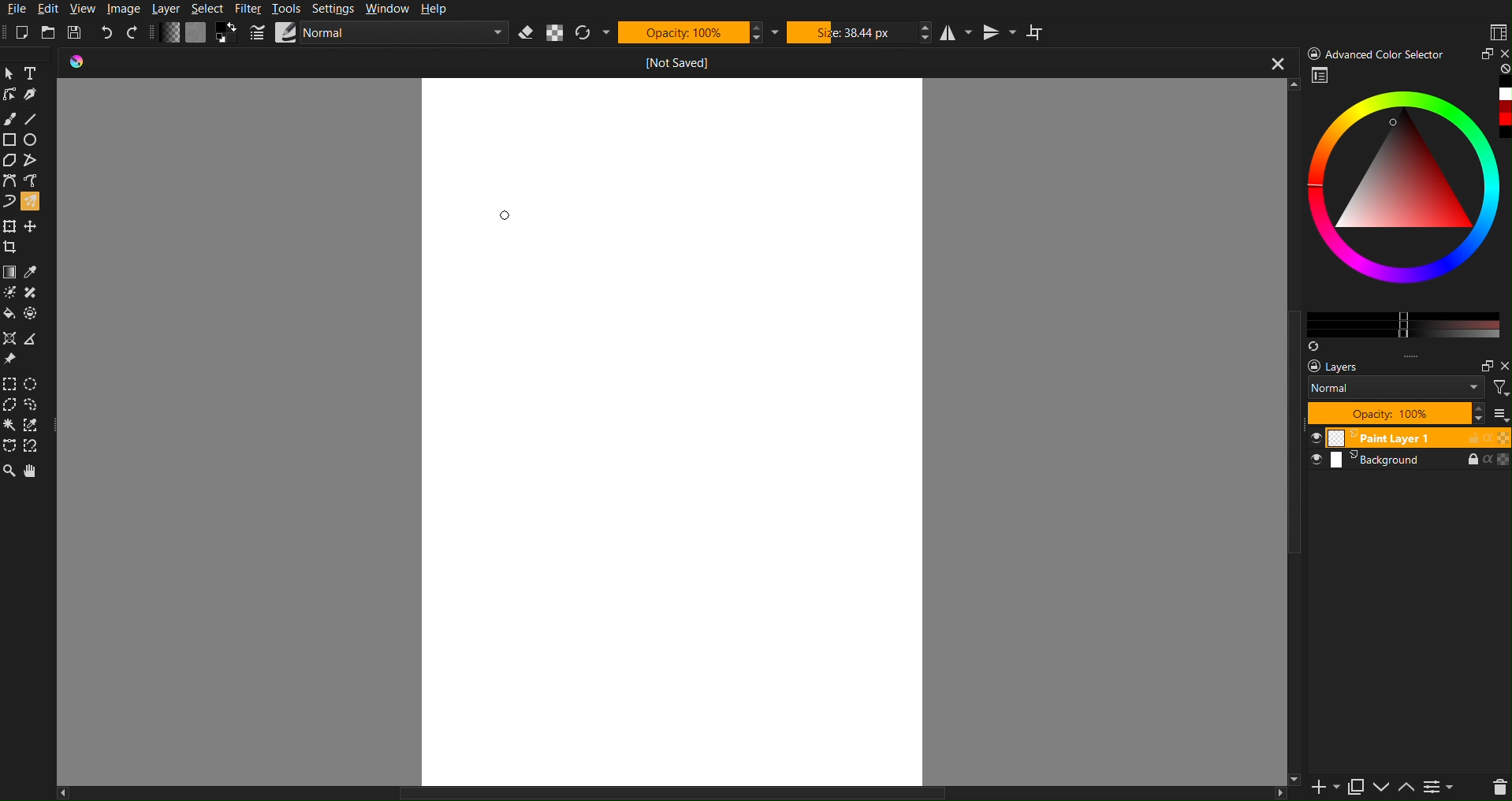 The image size is (1512, 801). Describe the element at coordinates (441, 9) in the screenshot. I see `Help` at that location.